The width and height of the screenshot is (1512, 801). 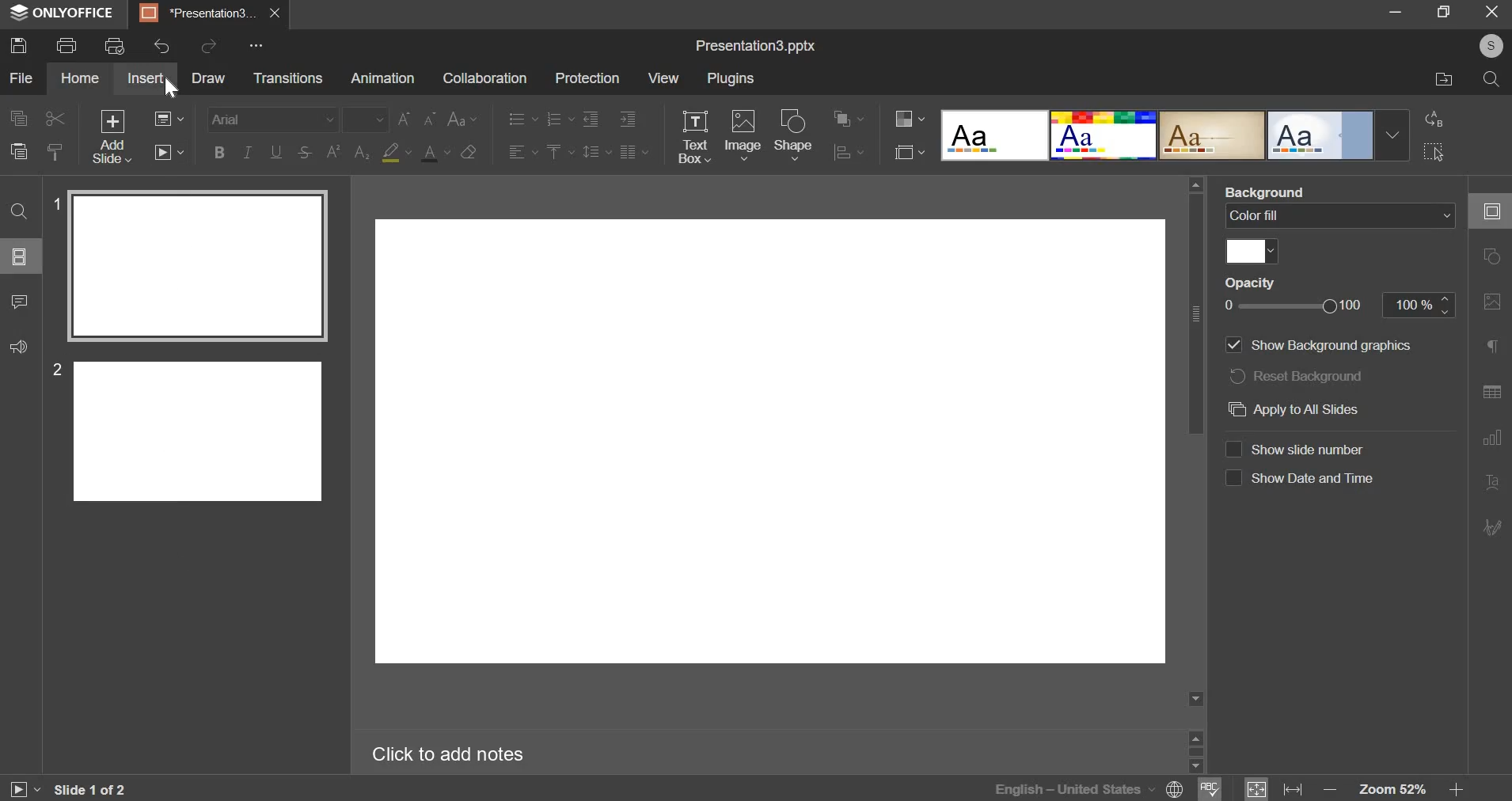 What do you see at coordinates (1052, 788) in the screenshot?
I see `language` at bounding box center [1052, 788].